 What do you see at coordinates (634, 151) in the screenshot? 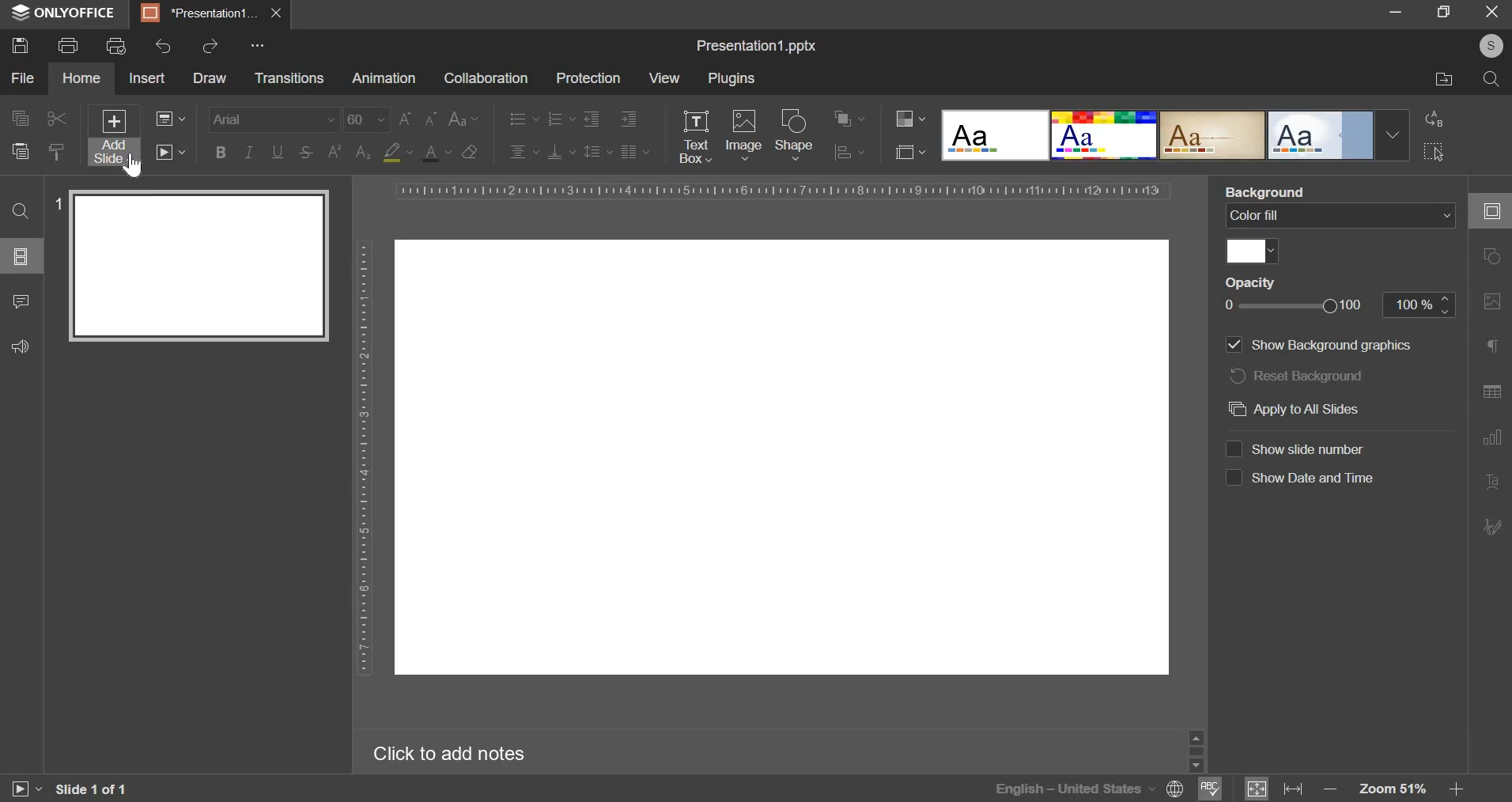
I see `paragraph alignment` at bounding box center [634, 151].